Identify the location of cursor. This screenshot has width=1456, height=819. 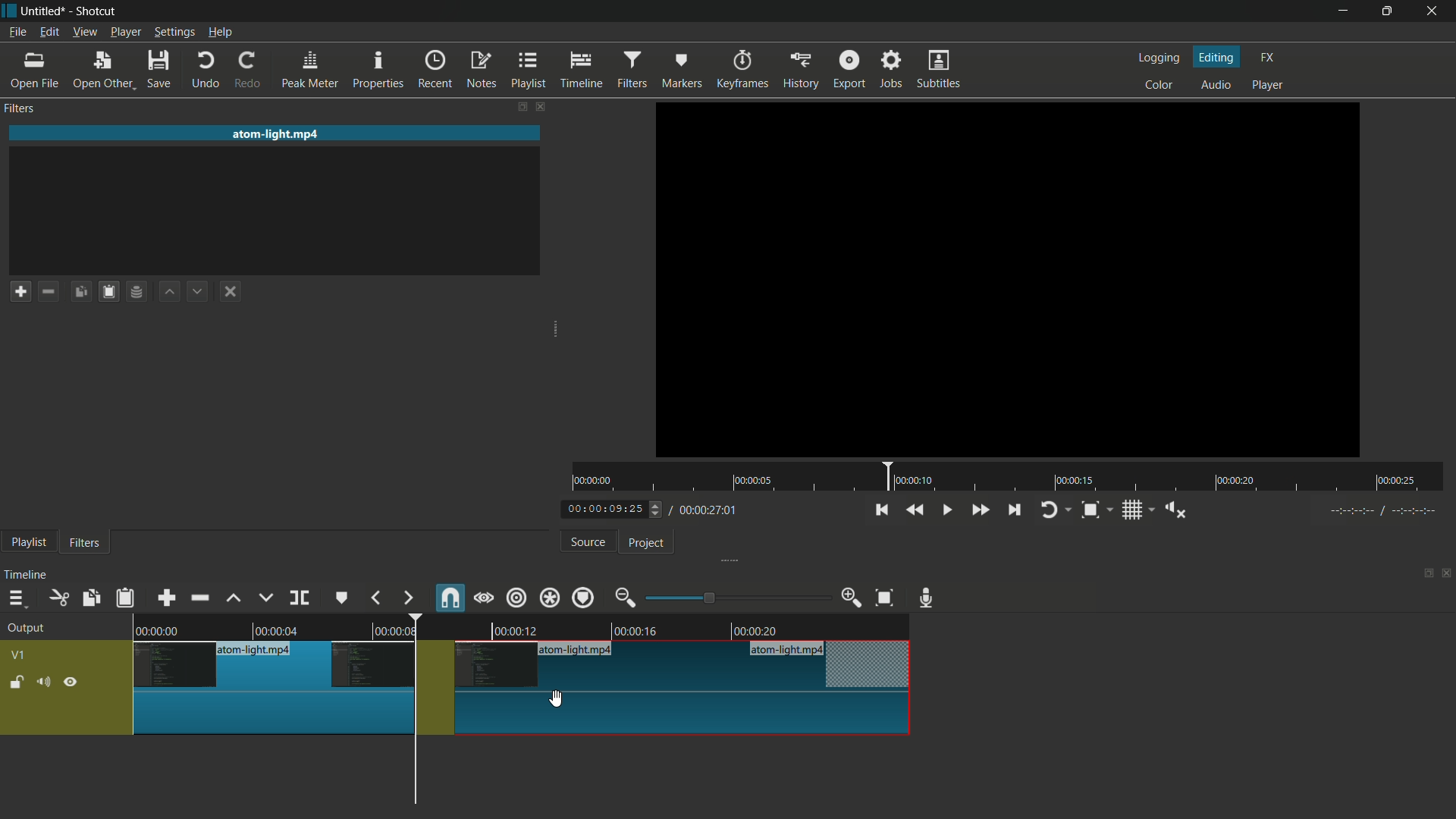
(560, 698).